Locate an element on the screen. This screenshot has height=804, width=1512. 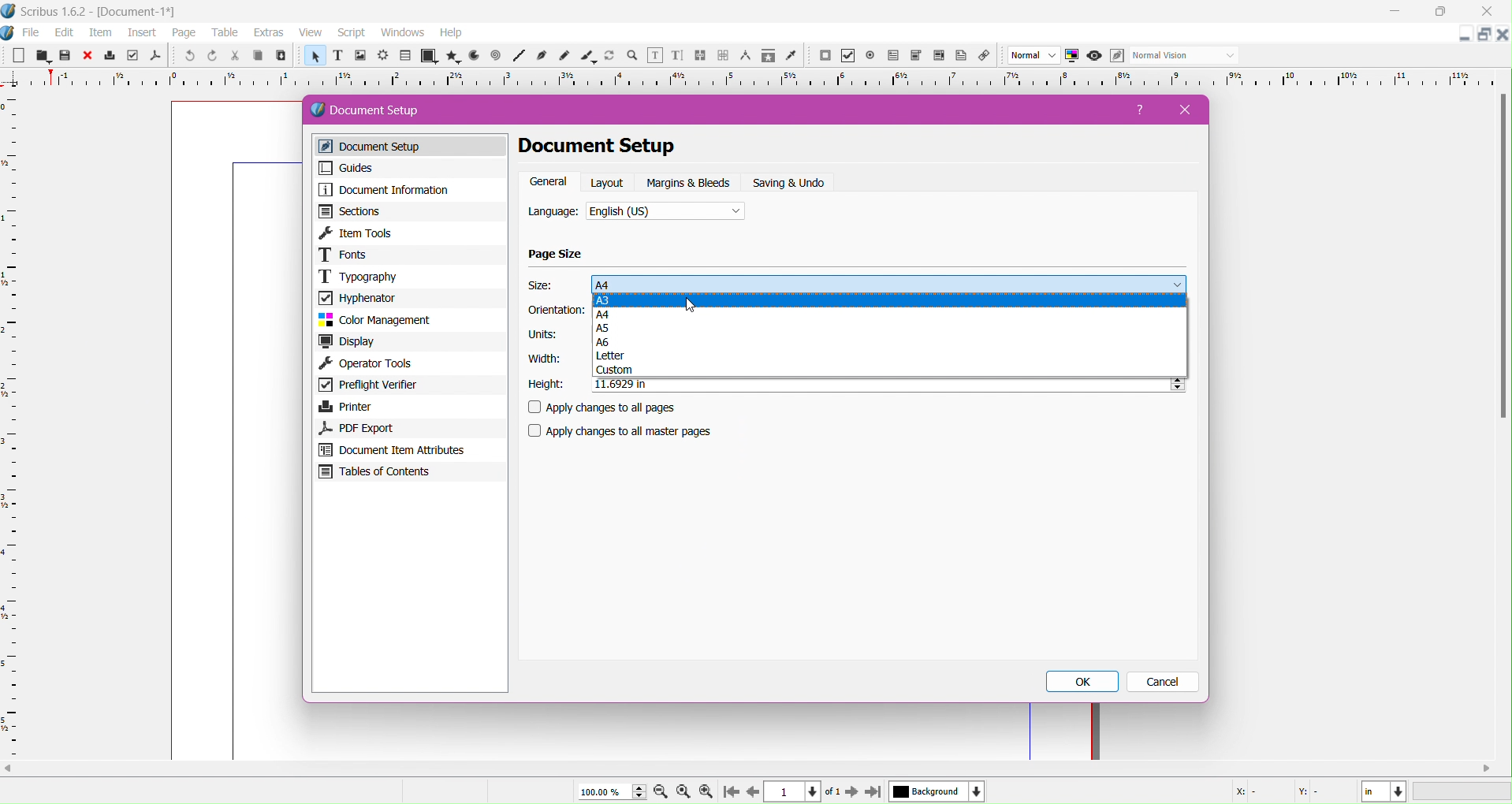
Tables of Contents is located at coordinates (409, 474).